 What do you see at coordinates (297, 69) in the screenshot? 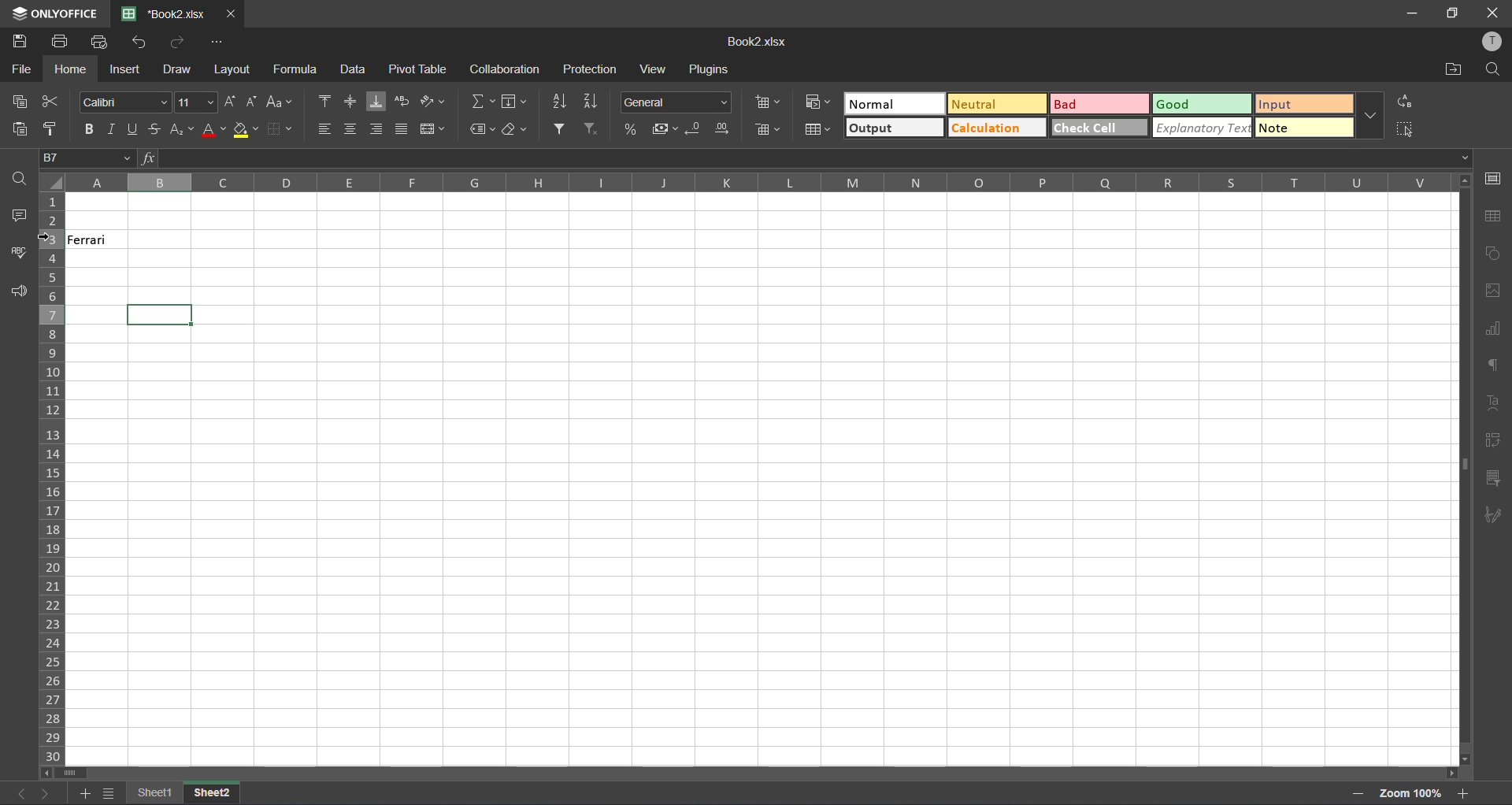
I see `formula` at bounding box center [297, 69].